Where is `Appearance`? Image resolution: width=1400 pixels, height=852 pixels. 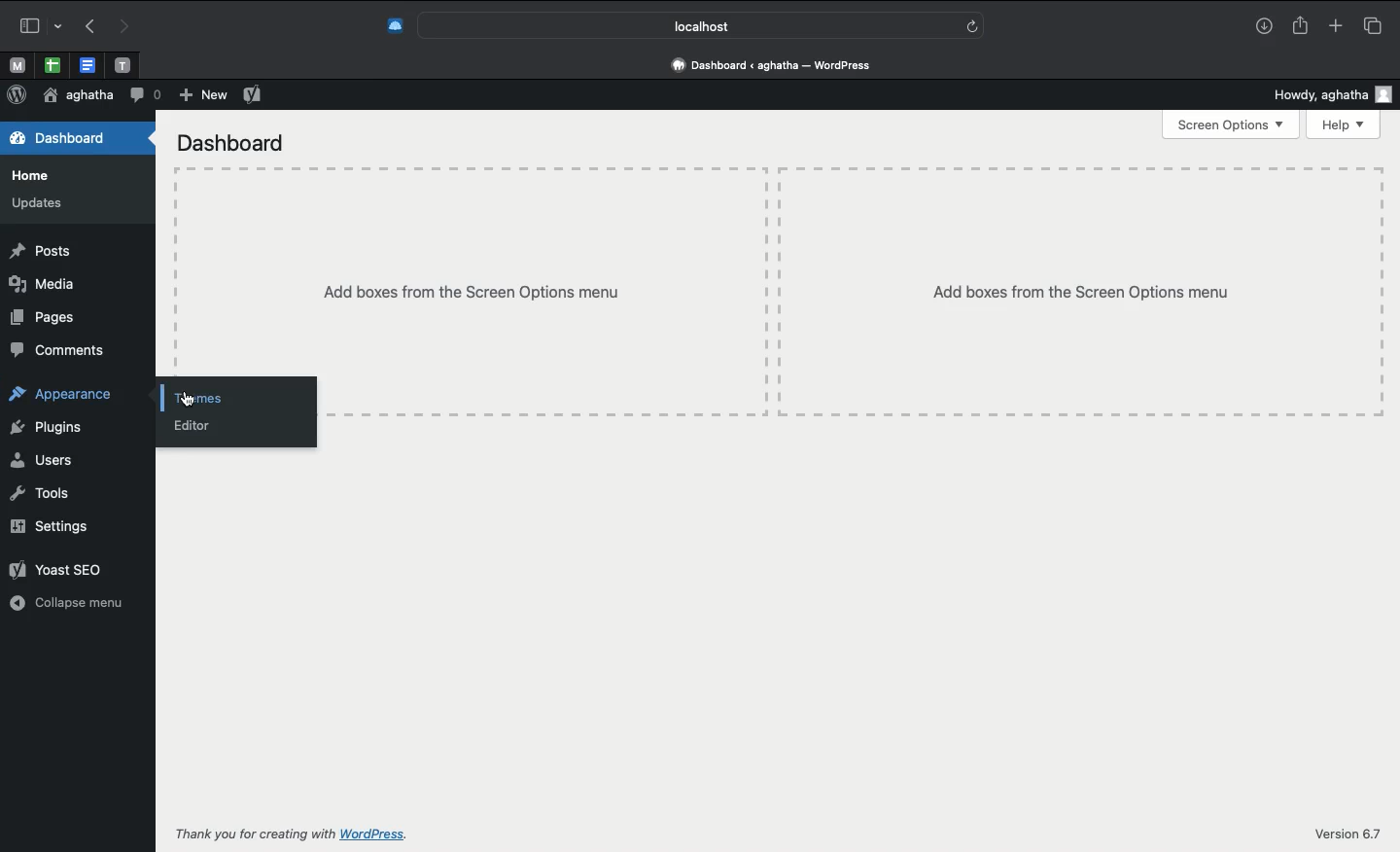
Appearance is located at coordinates (68, 396).